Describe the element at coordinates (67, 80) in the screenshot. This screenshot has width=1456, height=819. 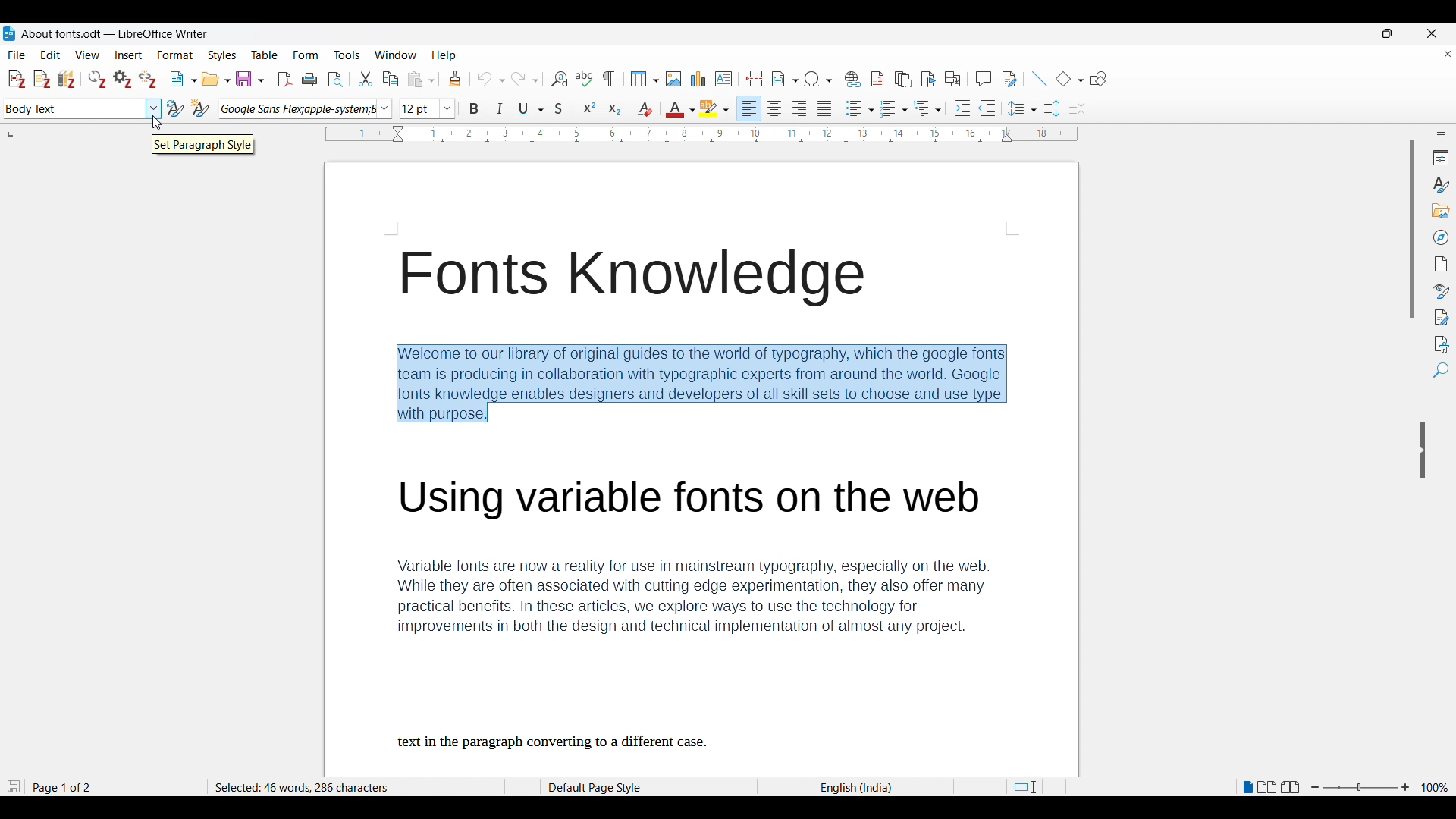
I see `Add/Edit bibliography` at that location.